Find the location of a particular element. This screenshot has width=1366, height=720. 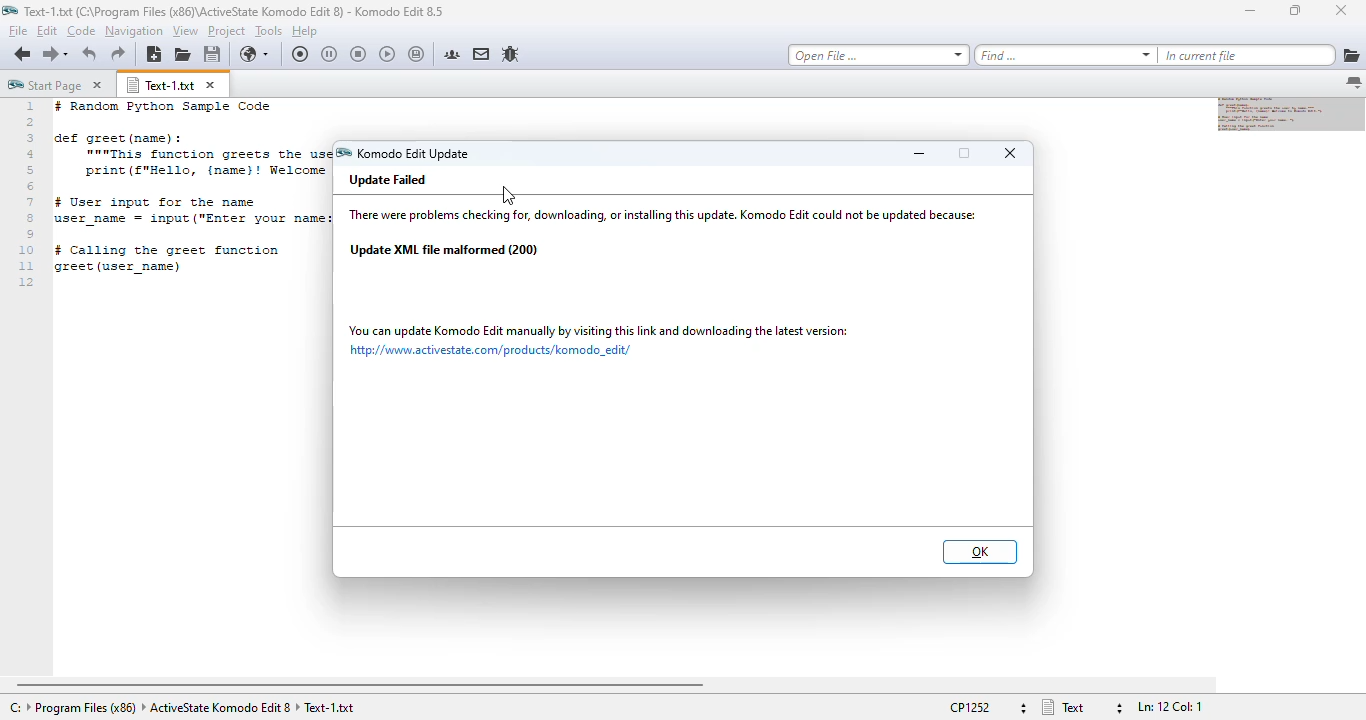

line numbers is located at coordinates (28, 195).